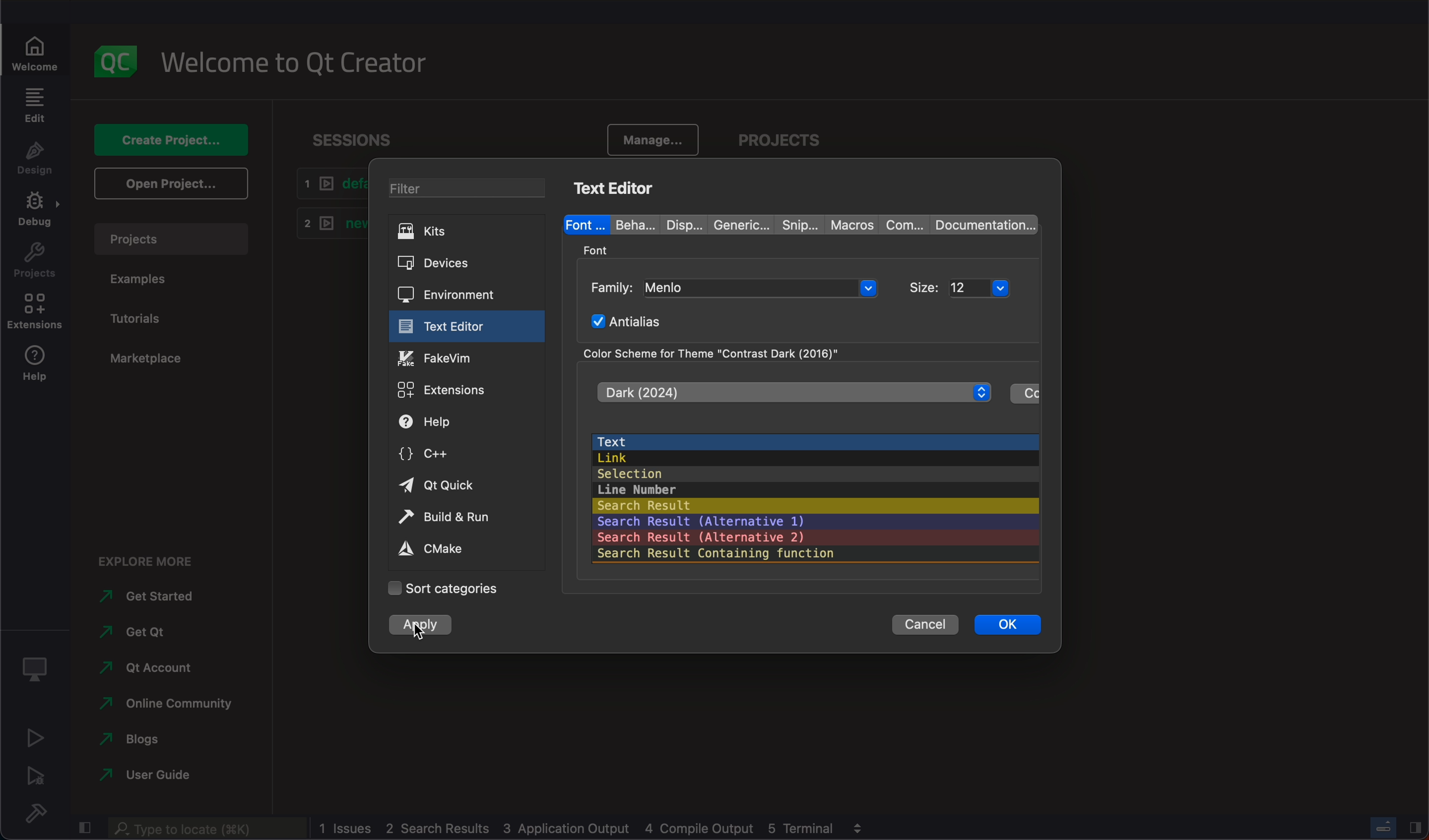 The width and height of the screenshot is (1429, 840). I want to click on debug, so click(34, 213).